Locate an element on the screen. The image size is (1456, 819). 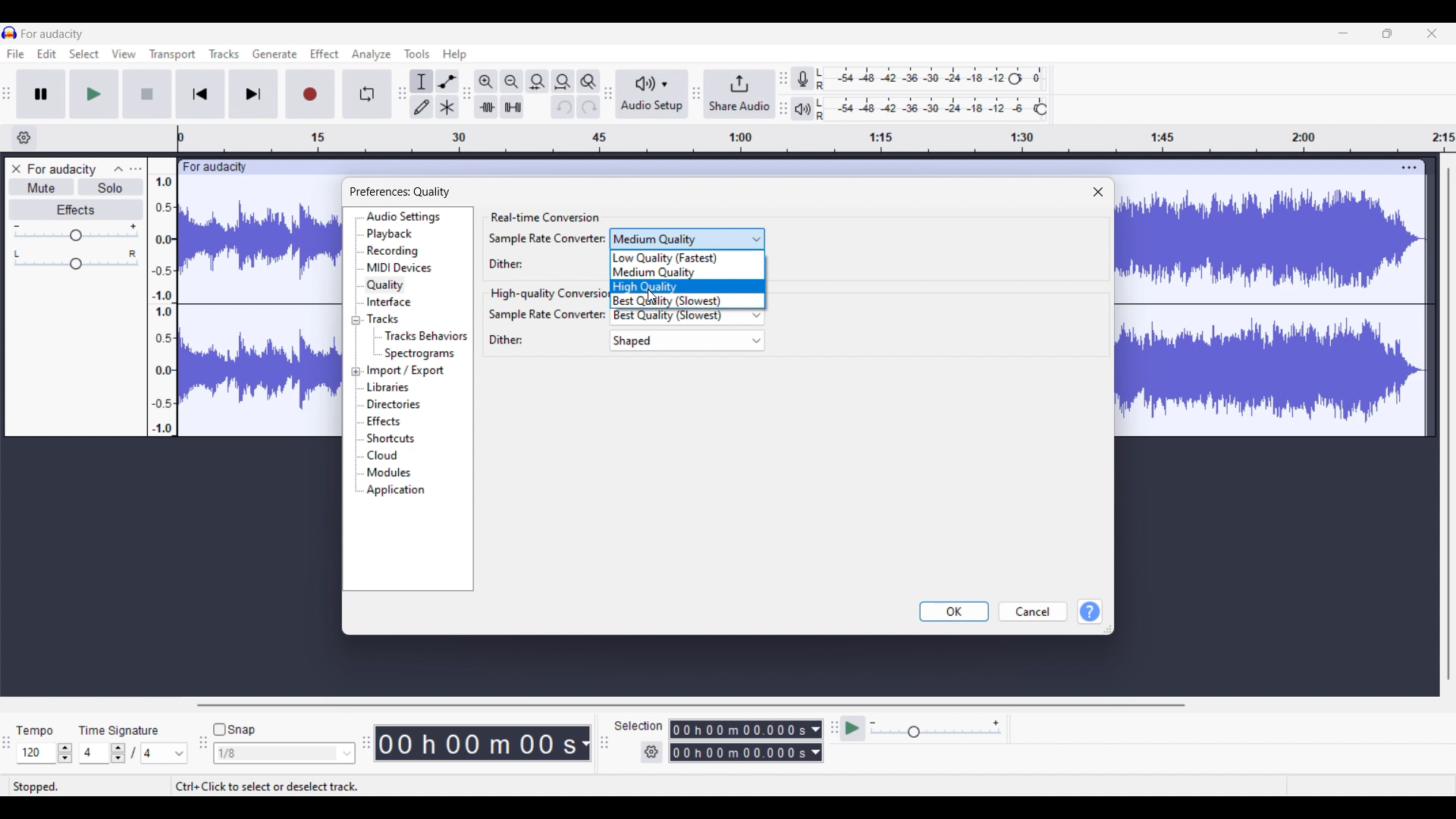
Current timestamp of track is located at coordinates (483, 743).